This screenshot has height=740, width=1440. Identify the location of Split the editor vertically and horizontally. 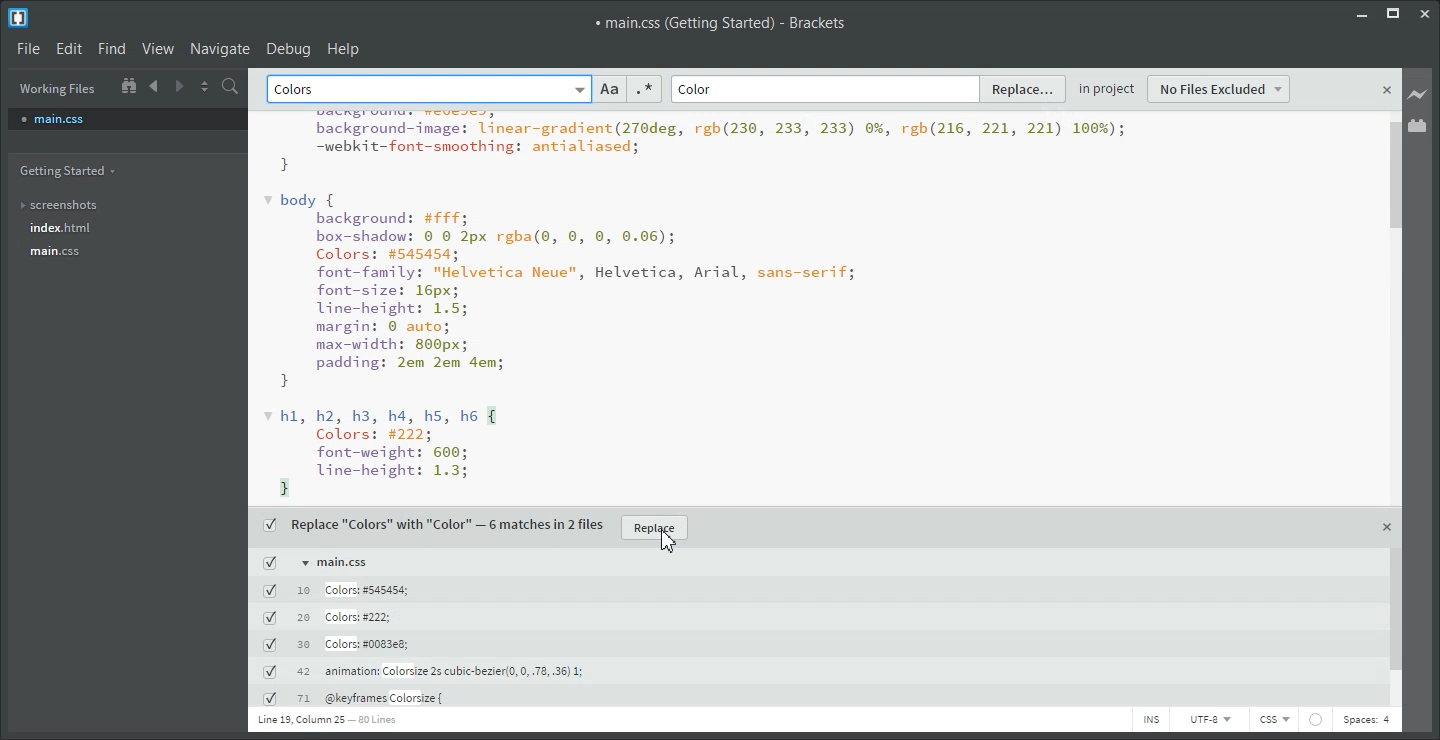
(205, 85).